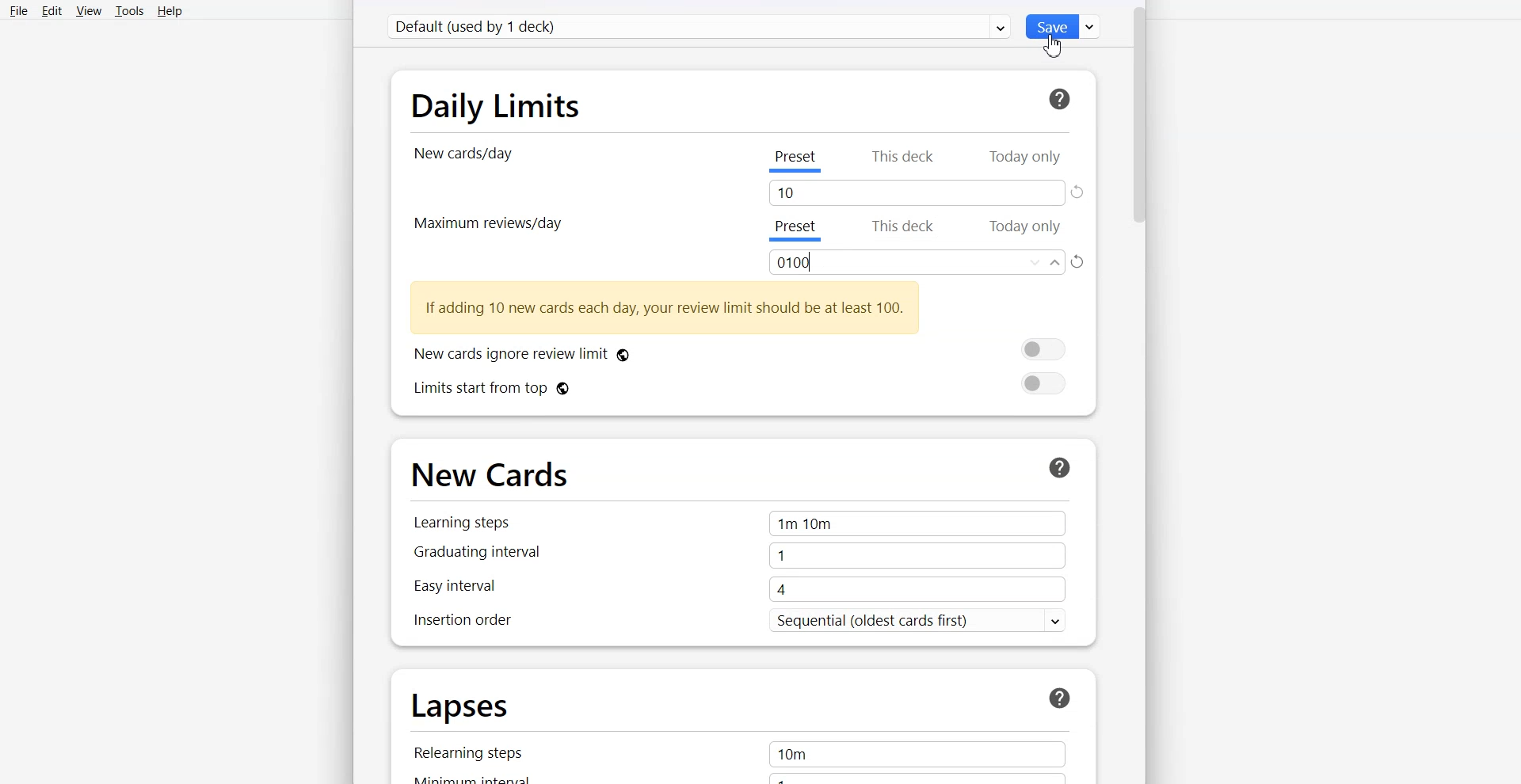 The width and height of the screenshot is (1521, 784). Describe the element at coordinates (1027, 229) in the screenshot. I see `Today Only` at that location.